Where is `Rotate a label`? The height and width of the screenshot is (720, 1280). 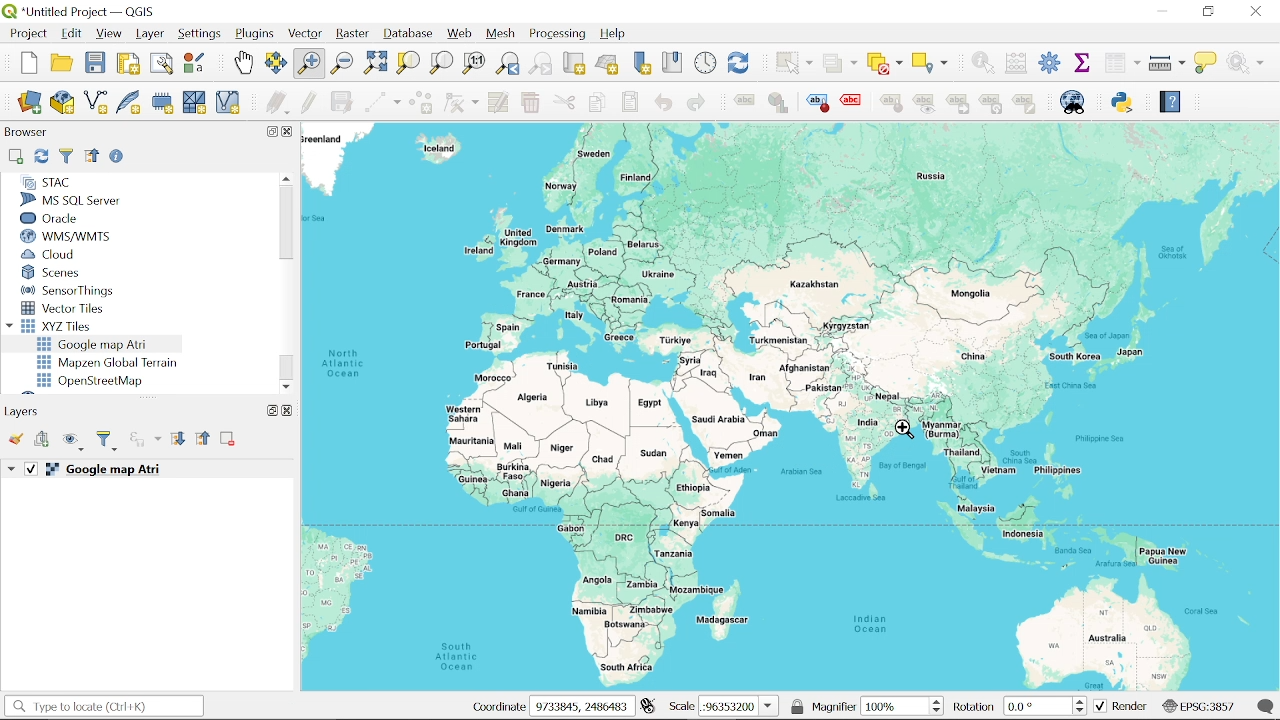 Rotate a label is located at coordinates (991, 105).